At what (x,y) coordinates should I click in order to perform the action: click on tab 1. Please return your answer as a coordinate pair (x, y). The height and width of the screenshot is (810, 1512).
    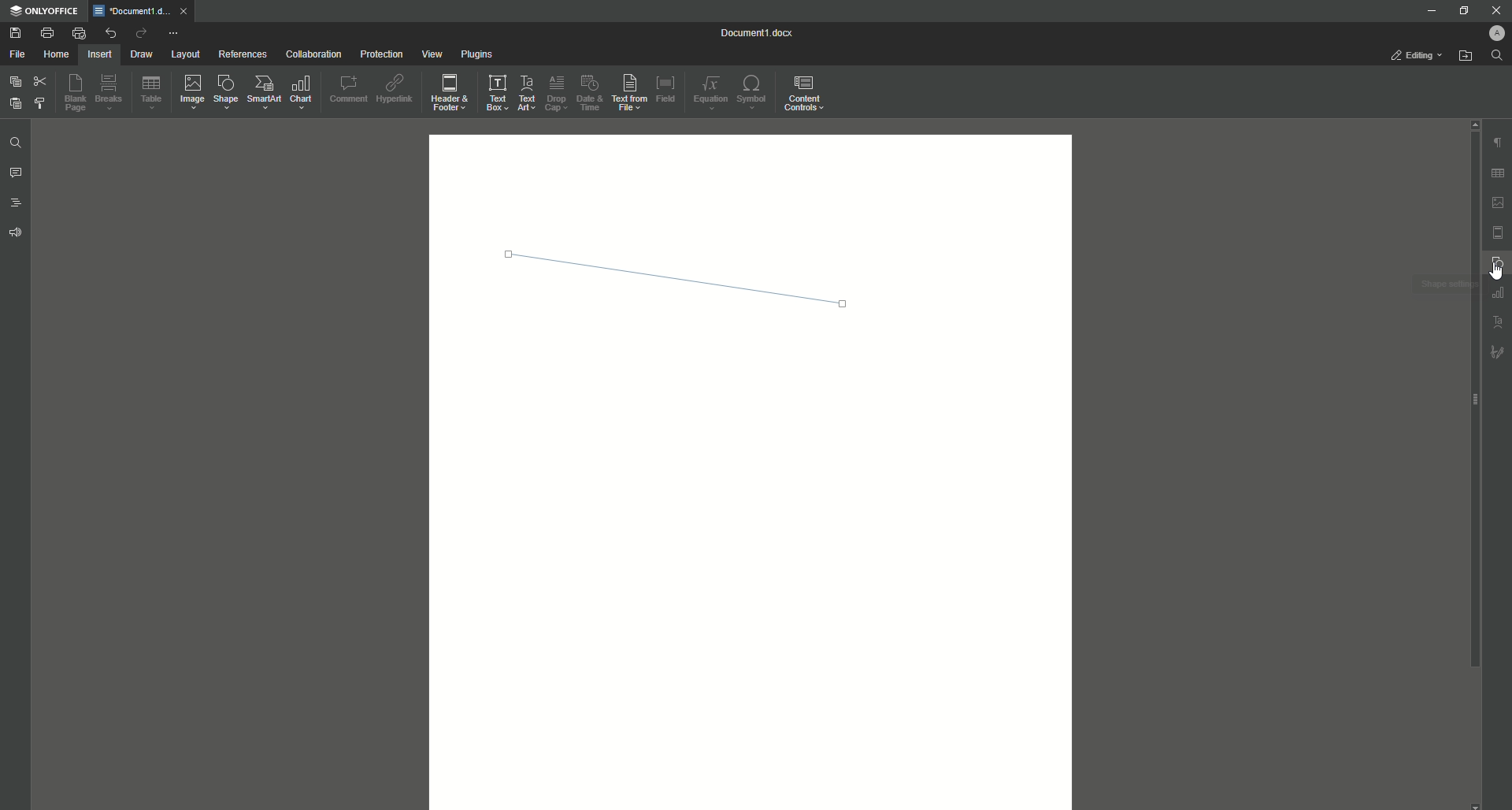
    Looking at the image, I should click on (145, 11).